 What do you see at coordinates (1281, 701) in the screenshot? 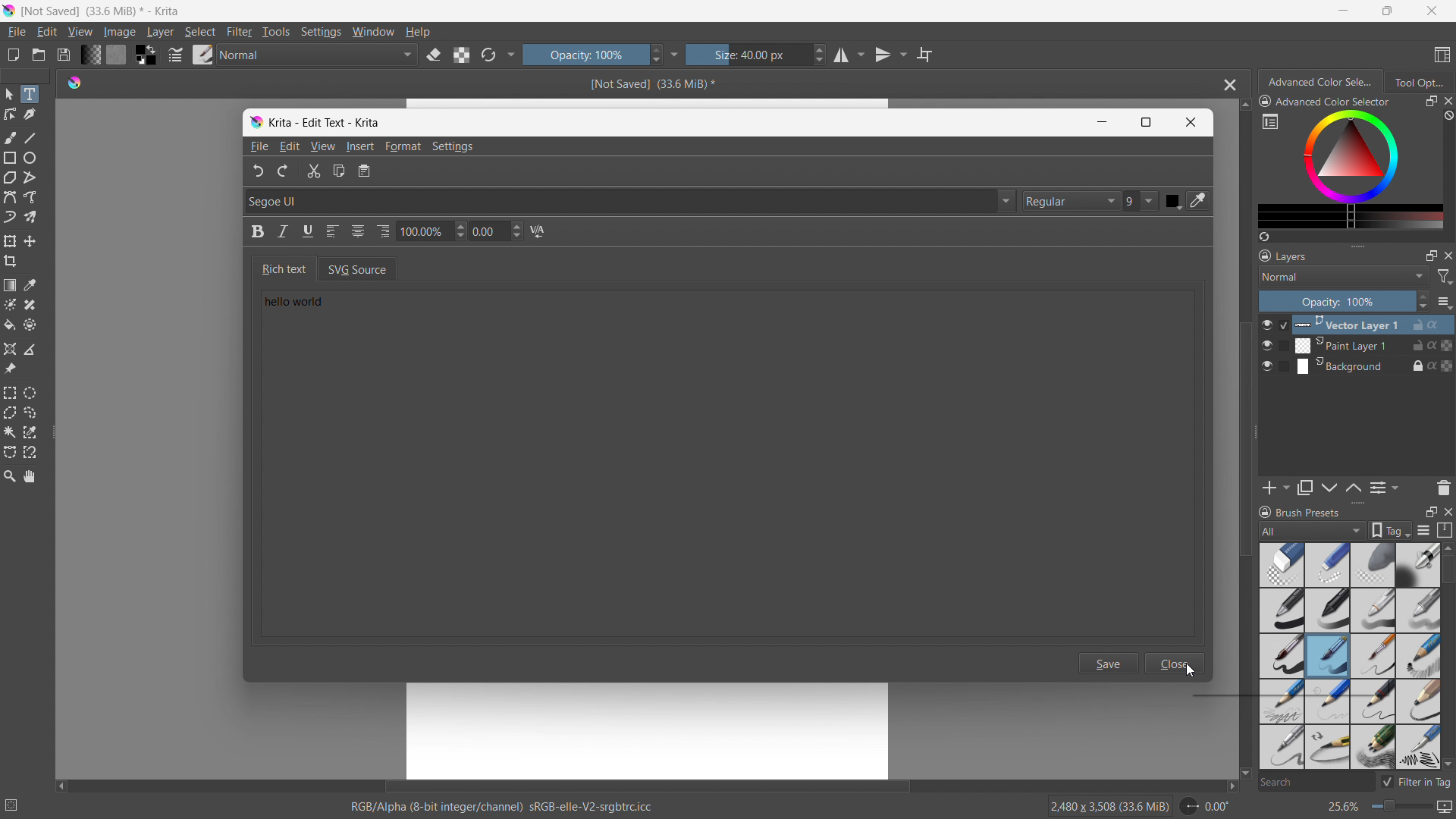
I see `pencil` at bounding box center [1281, 701].